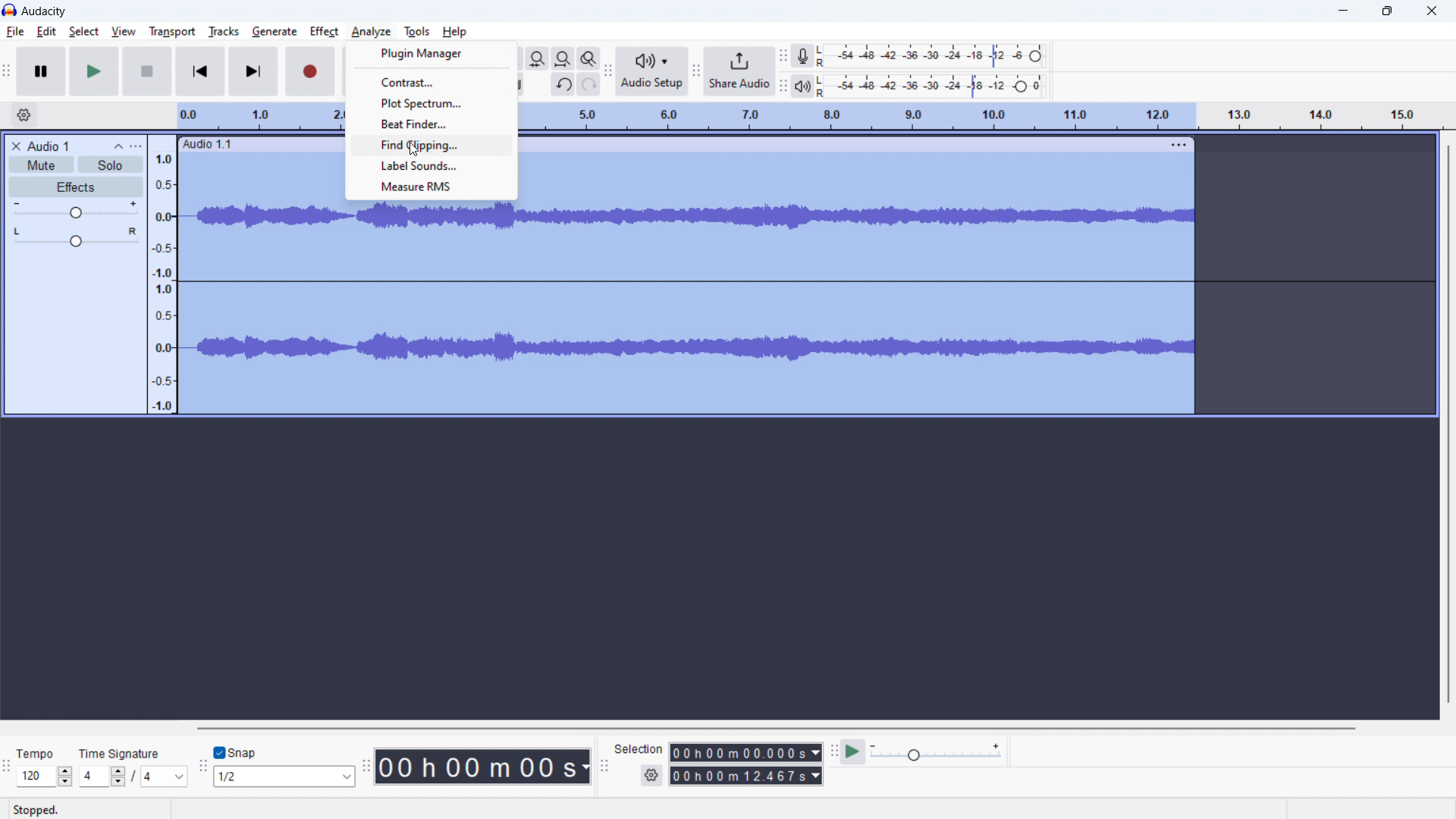 The image size is (1456, 819). I want to click on Time signature, so click(121, 755).